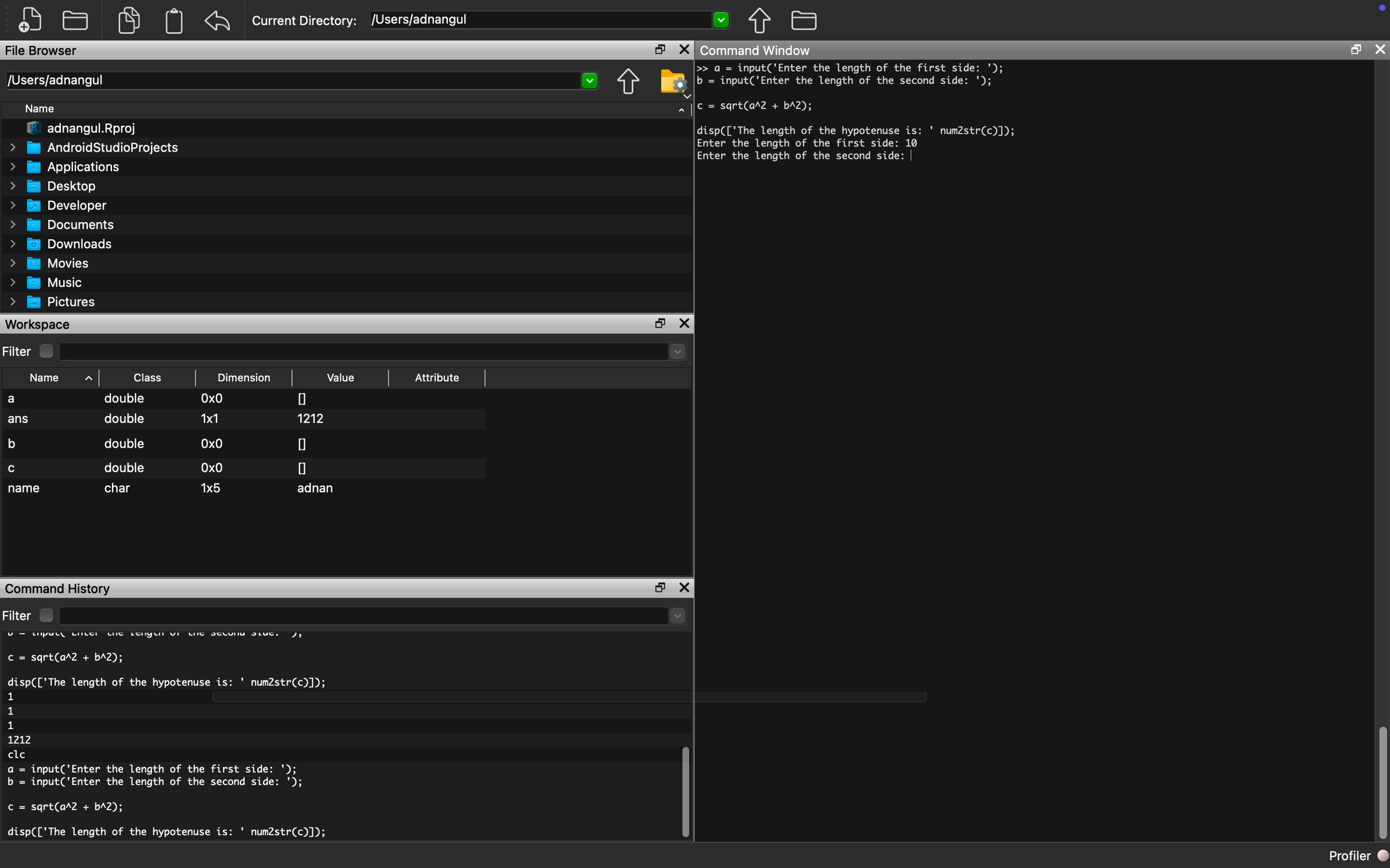 The image size is (1390, 868). Describe the element at coordinates (1381, 49) in the screenshot. I see `close` at that location.